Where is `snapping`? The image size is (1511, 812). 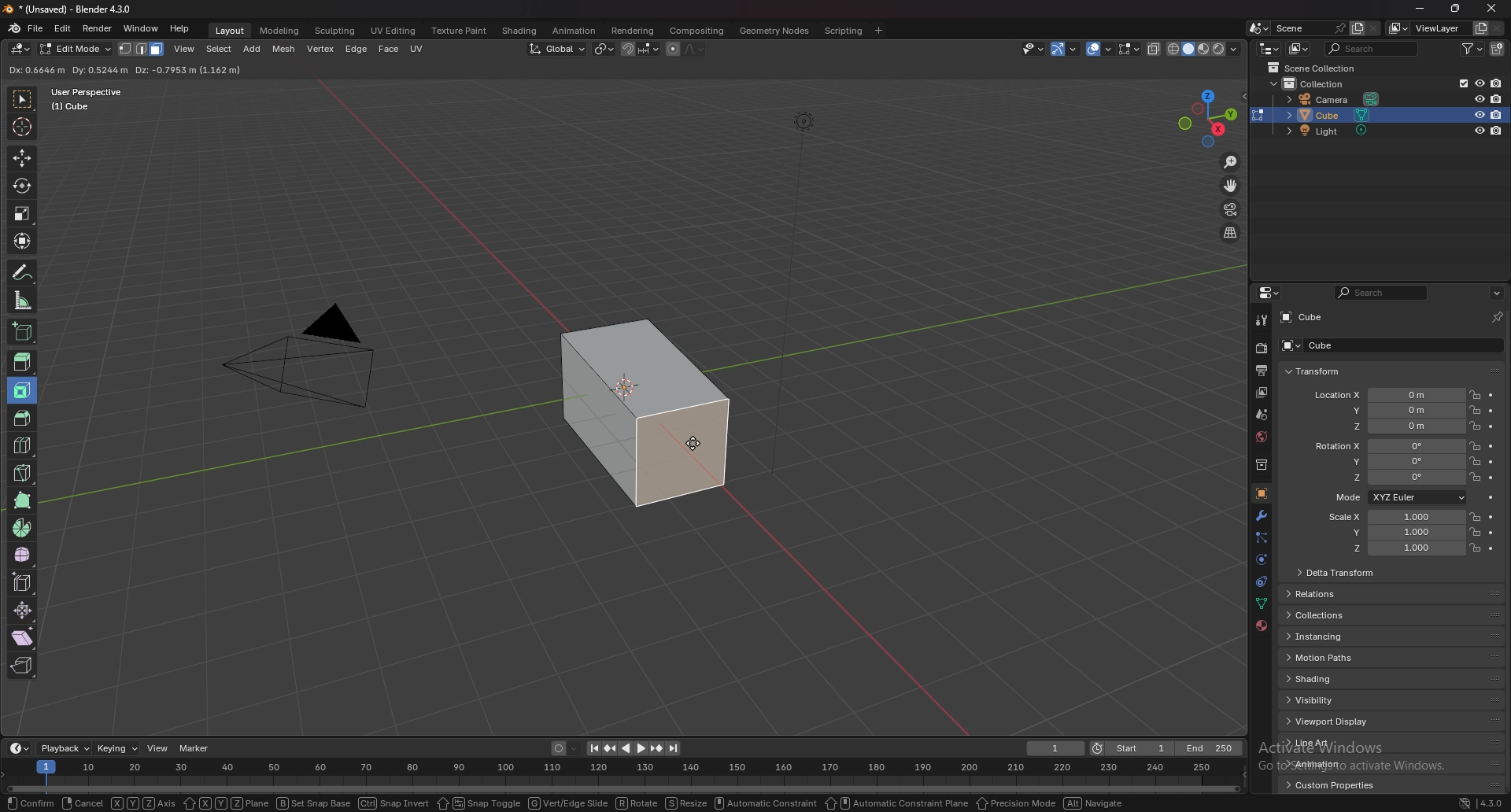 snapping is located at coordinates (640, 50).